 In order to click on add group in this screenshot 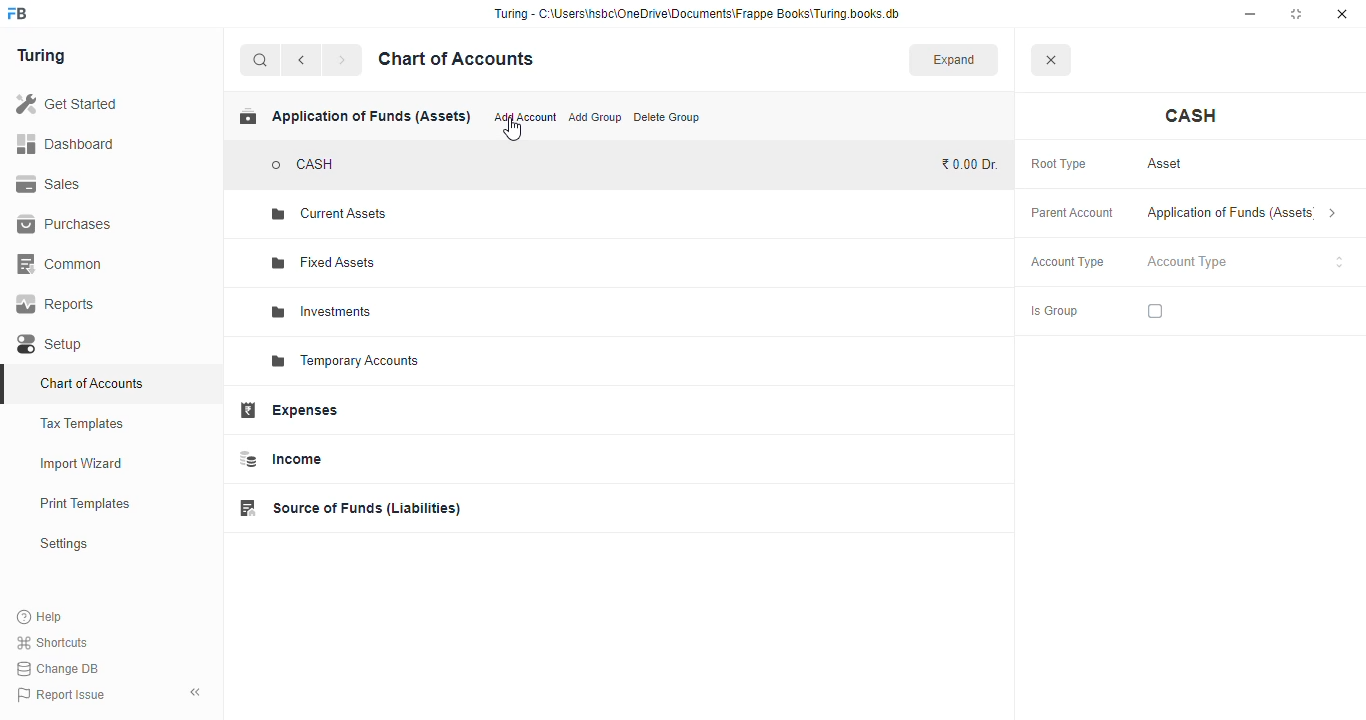, I will do `click(595, 117)`.